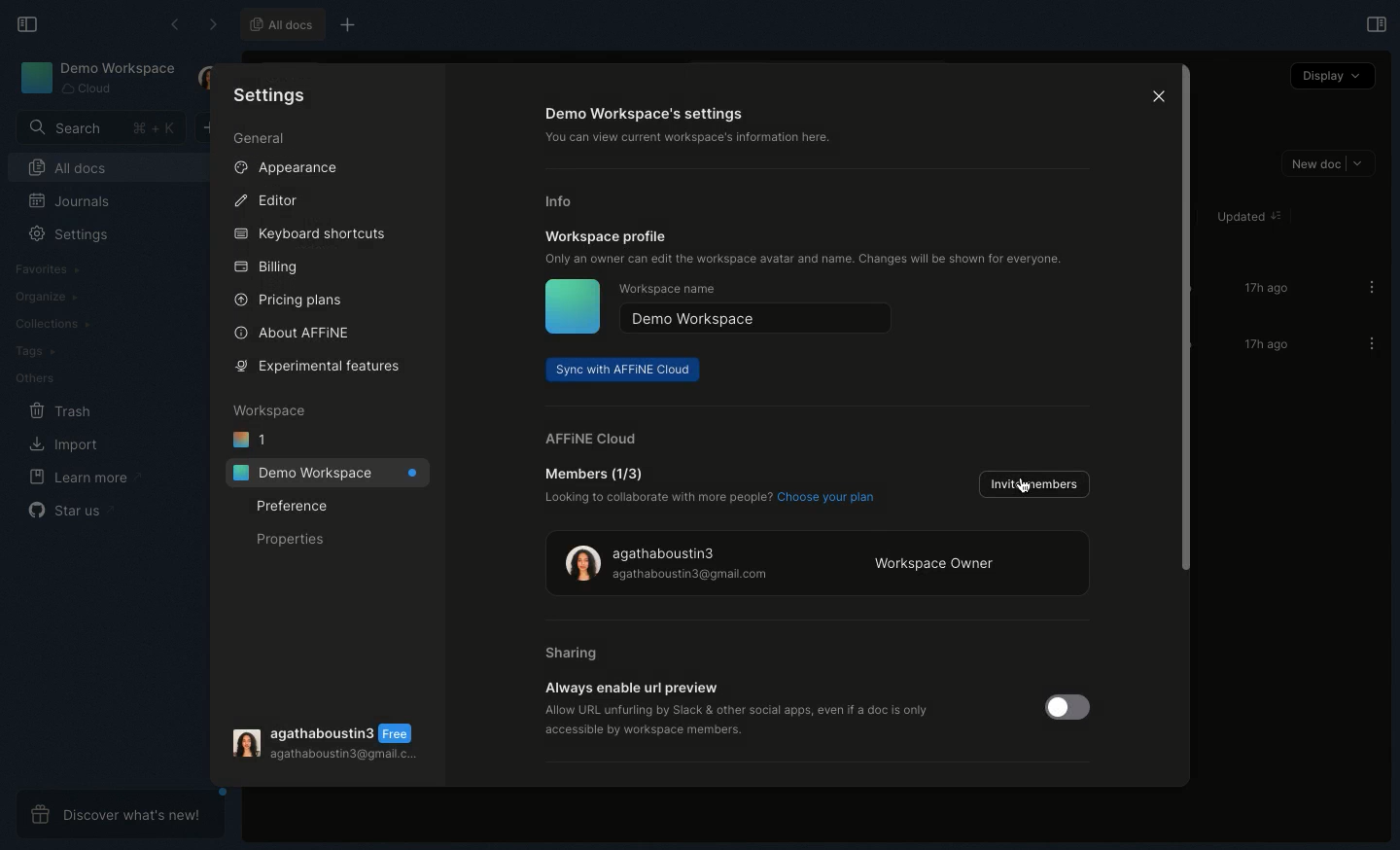 The width and height of the screenshot is (1400, 850). Describe the element at coordinates (636, 729) in the screenshot. I see `‘accessible by workspace members` at that location.